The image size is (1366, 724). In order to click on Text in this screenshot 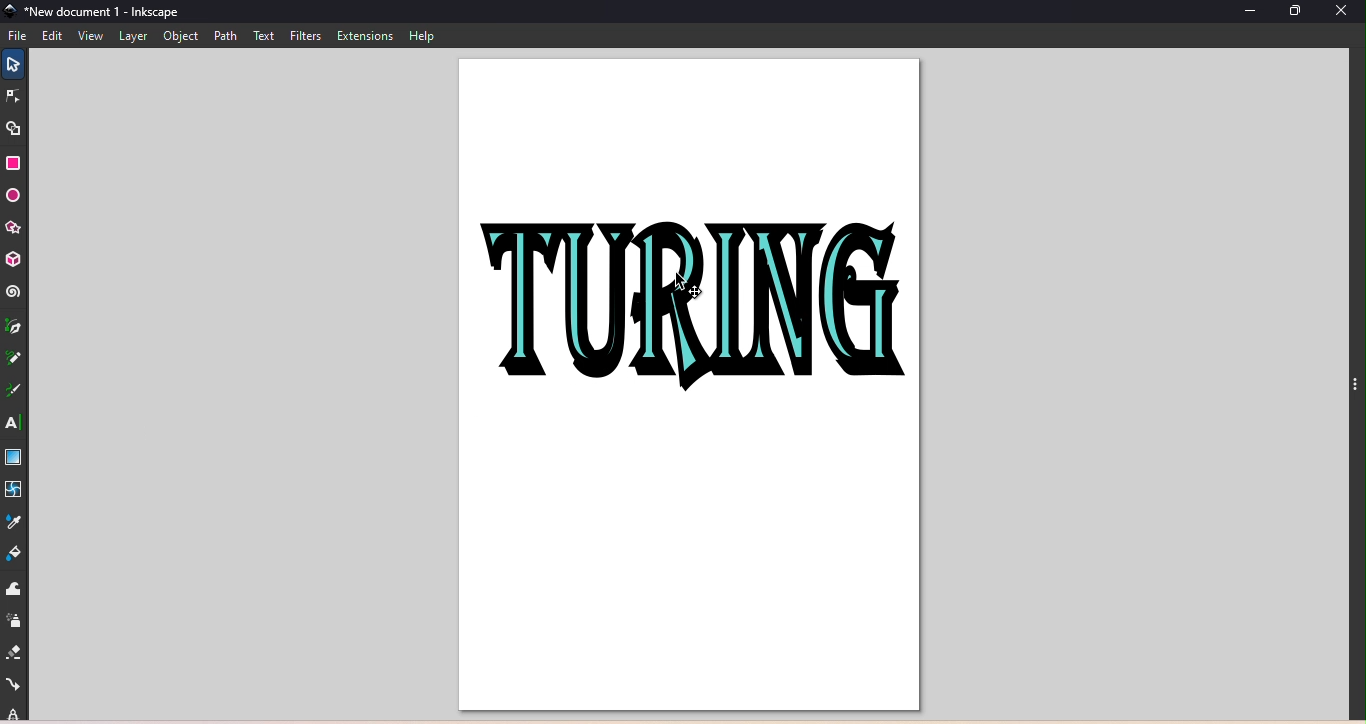, I will do `click(265, 36)`.